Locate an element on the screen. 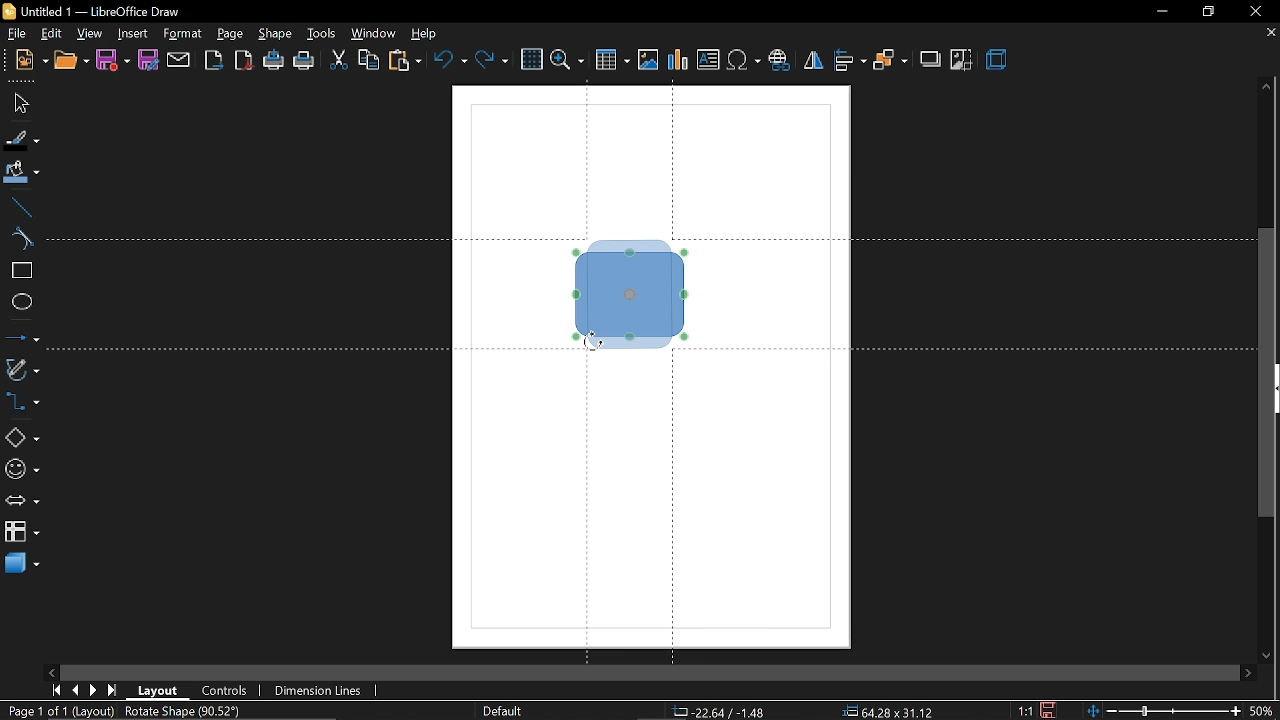 The height and width of the screenshot is (720, 1280). basic shapes is located at coordinates (21, 435).